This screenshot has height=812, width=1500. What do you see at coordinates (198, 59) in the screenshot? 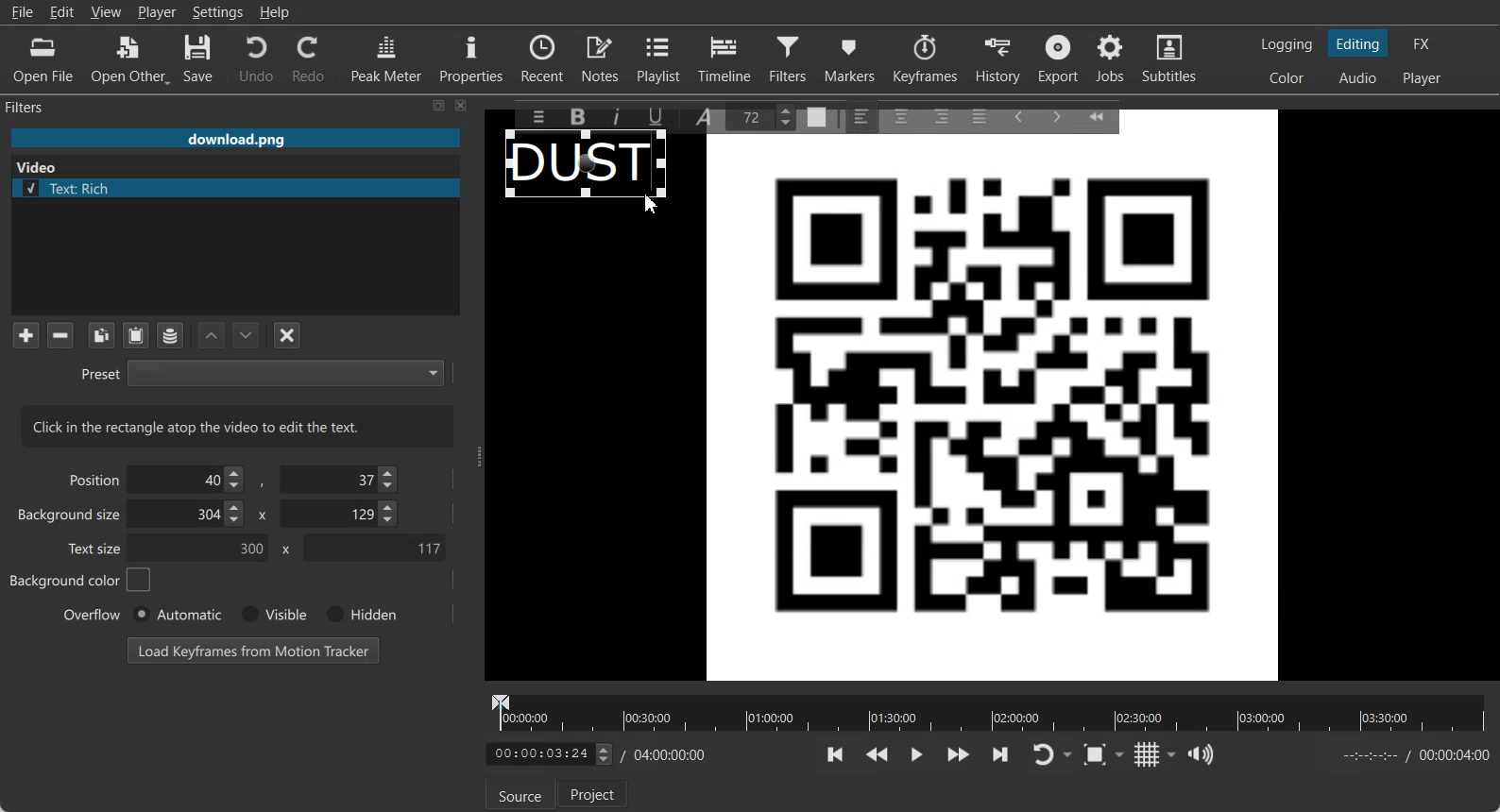
I see `Save` at bounding box center [198, 59].